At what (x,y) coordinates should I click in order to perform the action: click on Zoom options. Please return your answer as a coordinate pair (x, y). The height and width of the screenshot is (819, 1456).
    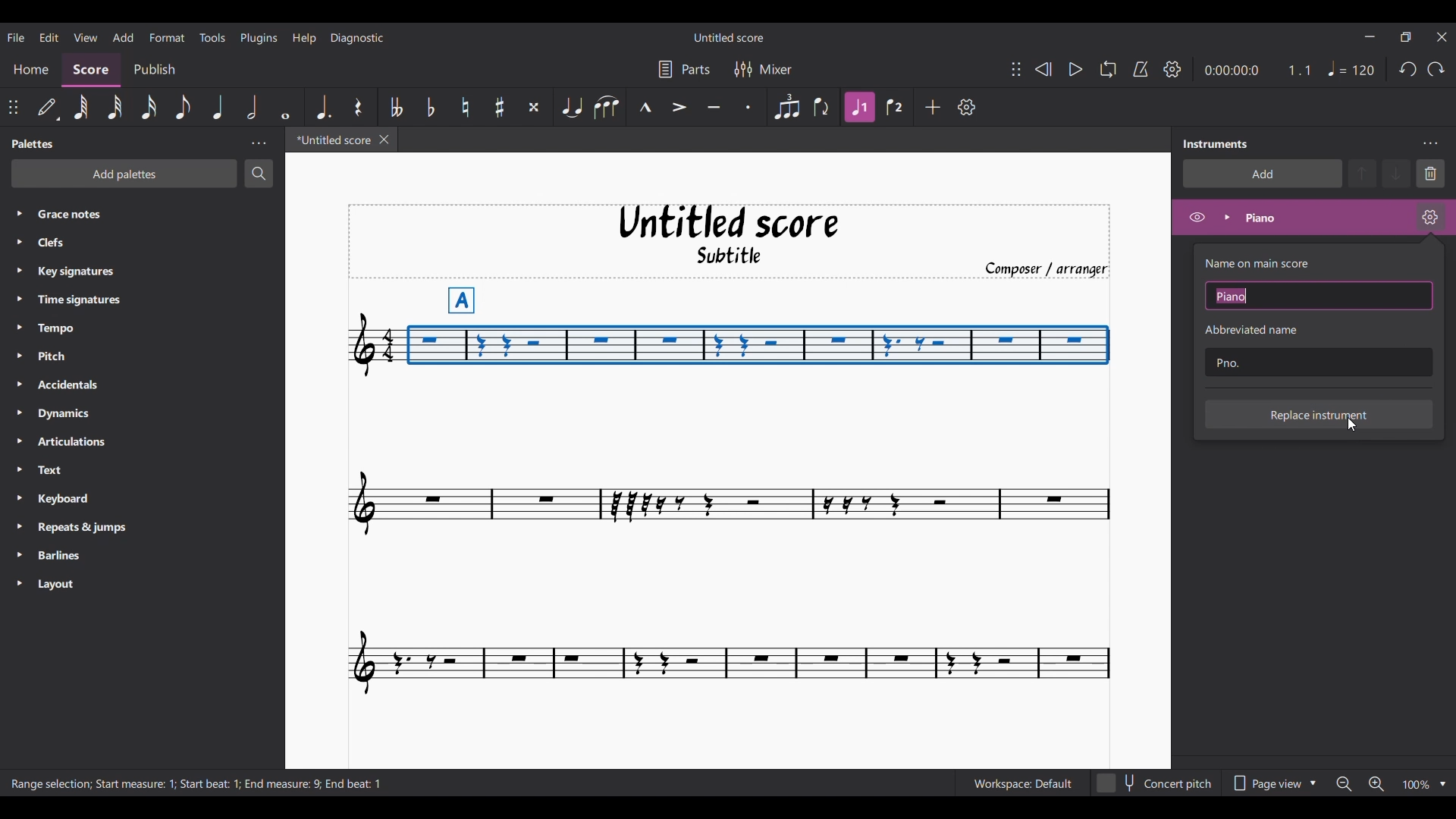
    Looking at the image, I should click on (1442, 784).